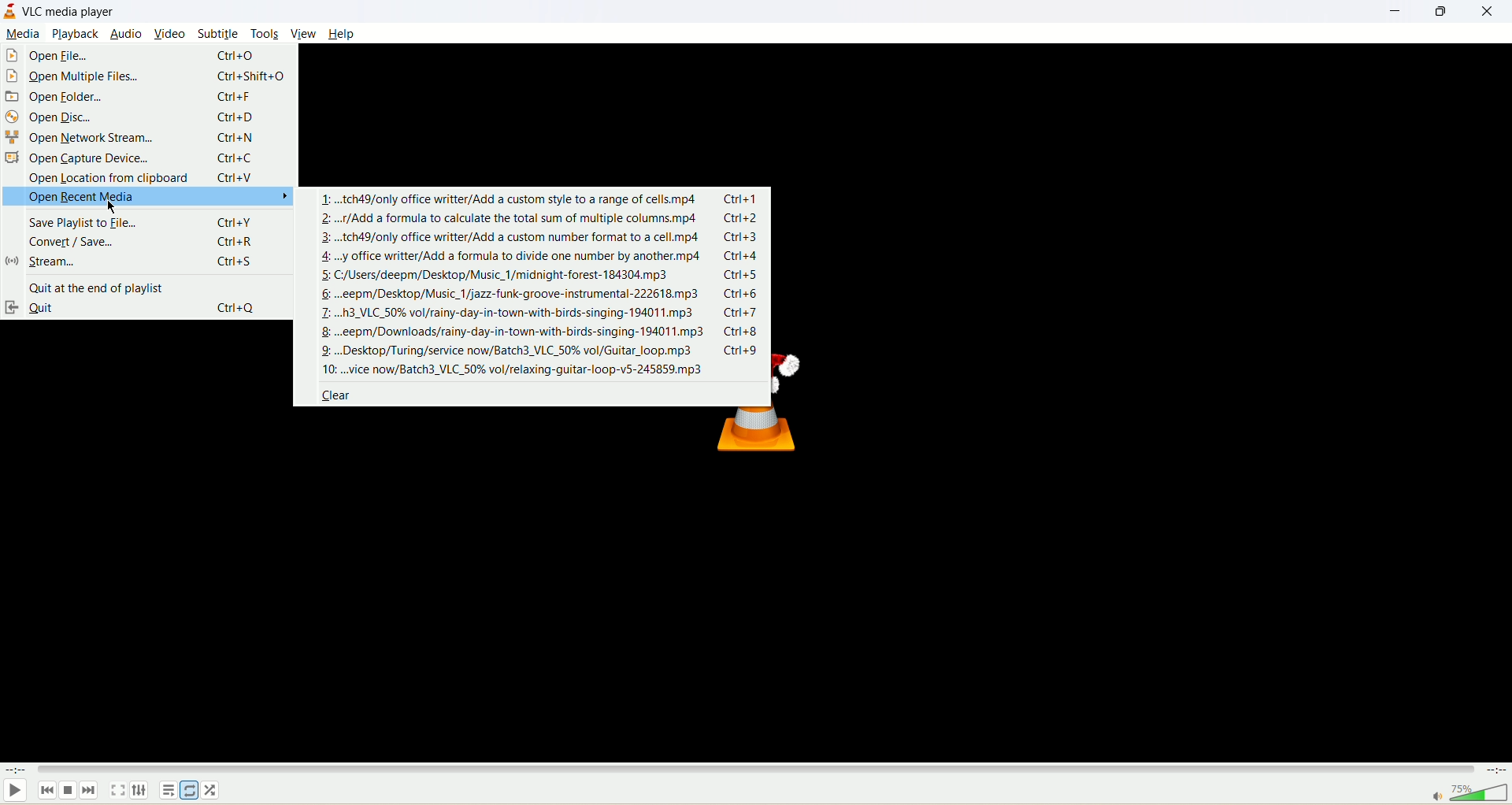 The image size is (1512, 805). I want to click on video, so click(172, 35).